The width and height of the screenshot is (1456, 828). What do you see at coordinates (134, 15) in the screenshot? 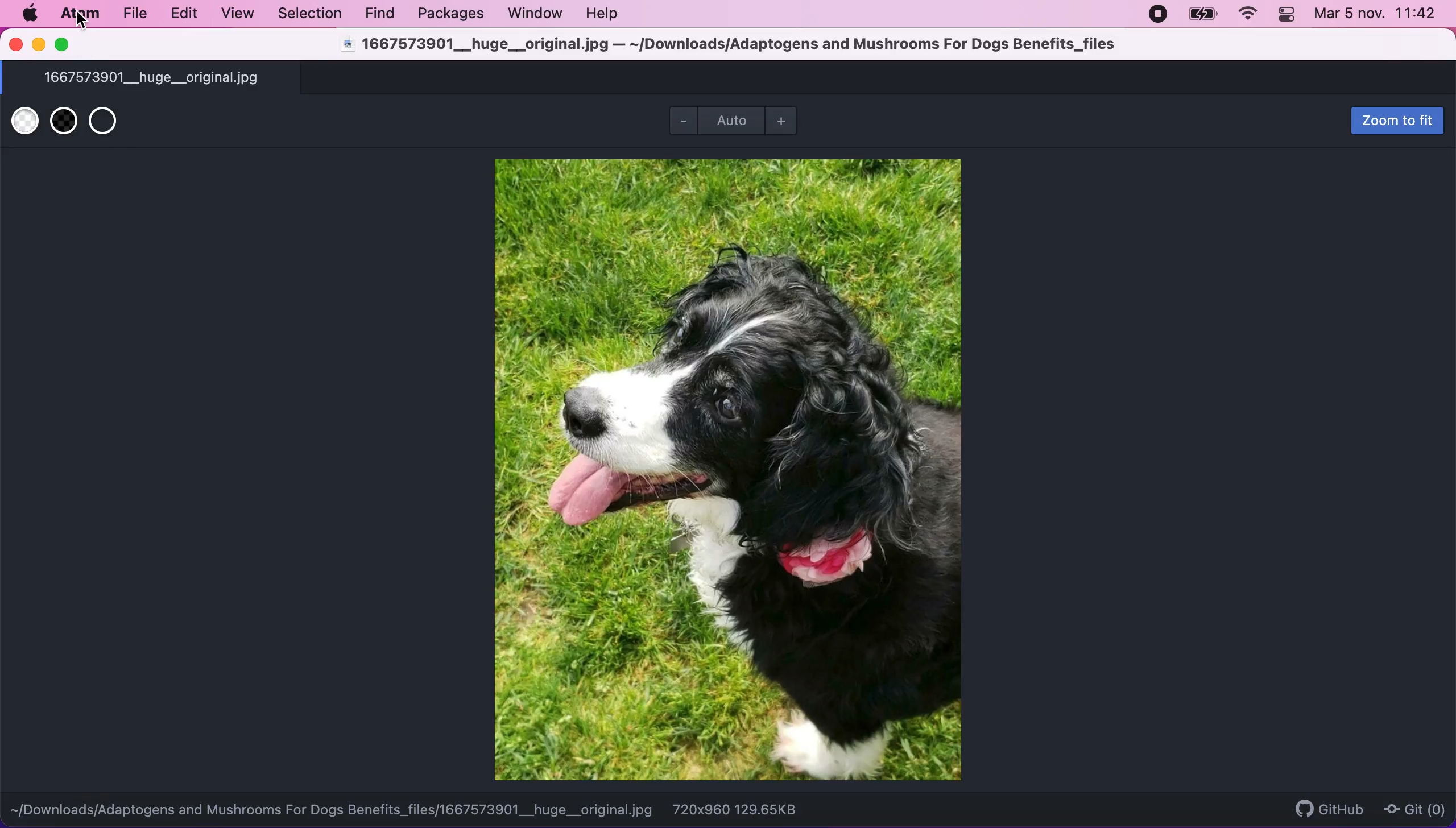
I see `file` at bounding box center [134, 15].